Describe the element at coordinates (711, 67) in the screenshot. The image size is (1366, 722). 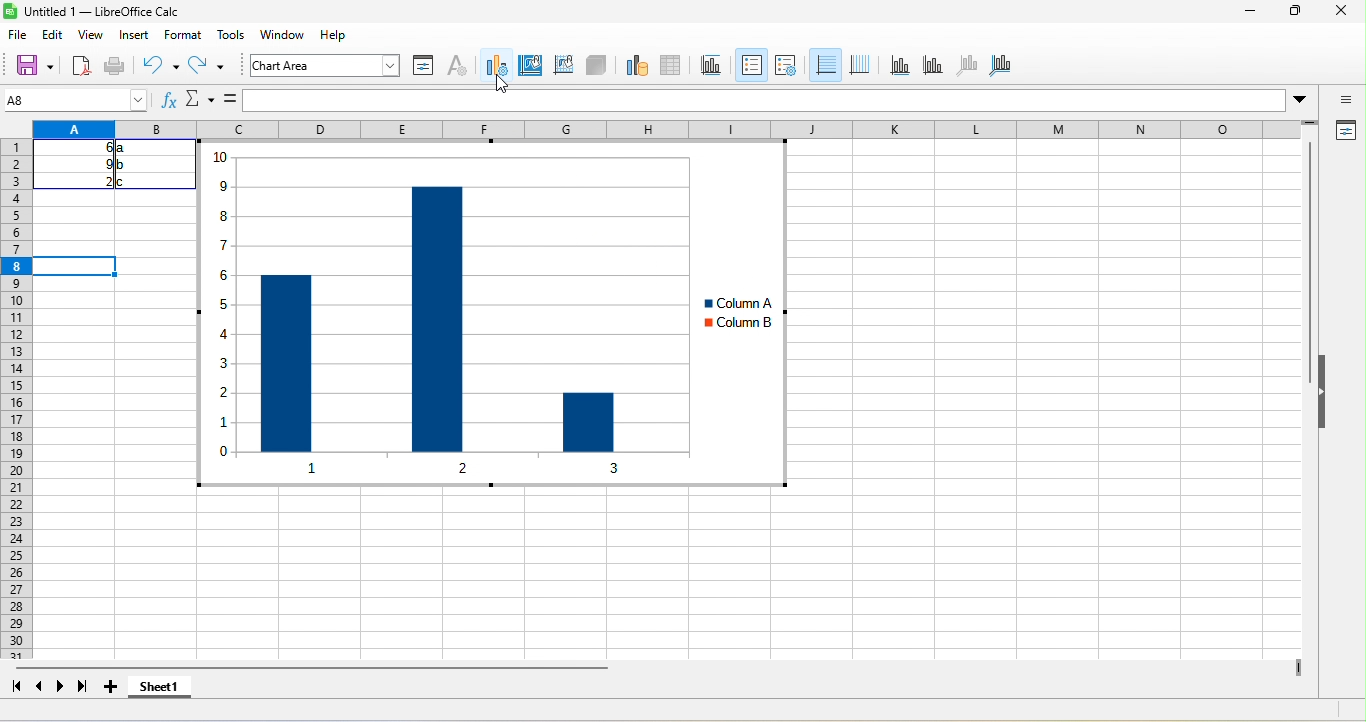
I see `titles` at that location.